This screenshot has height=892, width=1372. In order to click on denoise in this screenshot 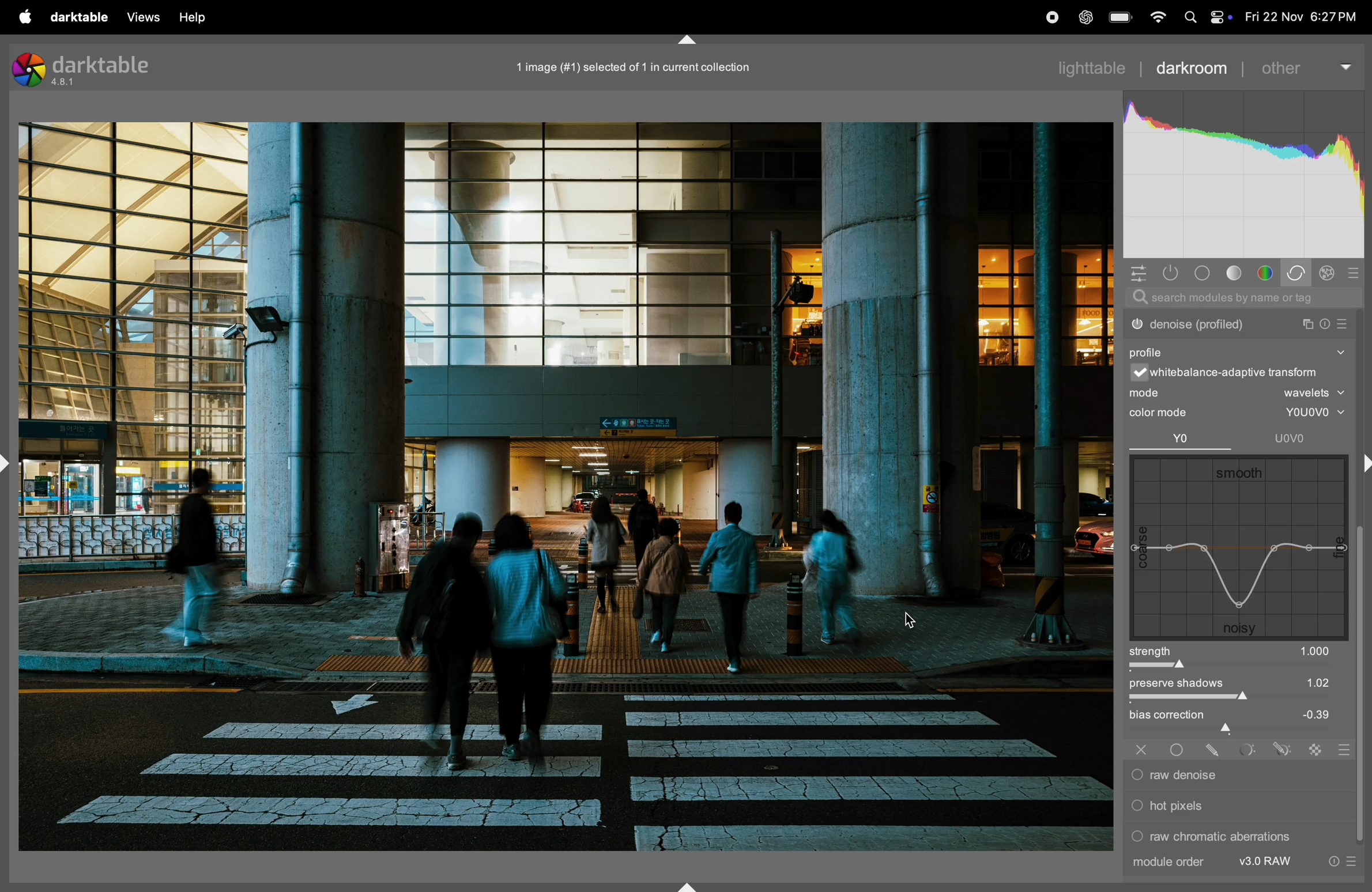, I will do `click(1220, 324)`.